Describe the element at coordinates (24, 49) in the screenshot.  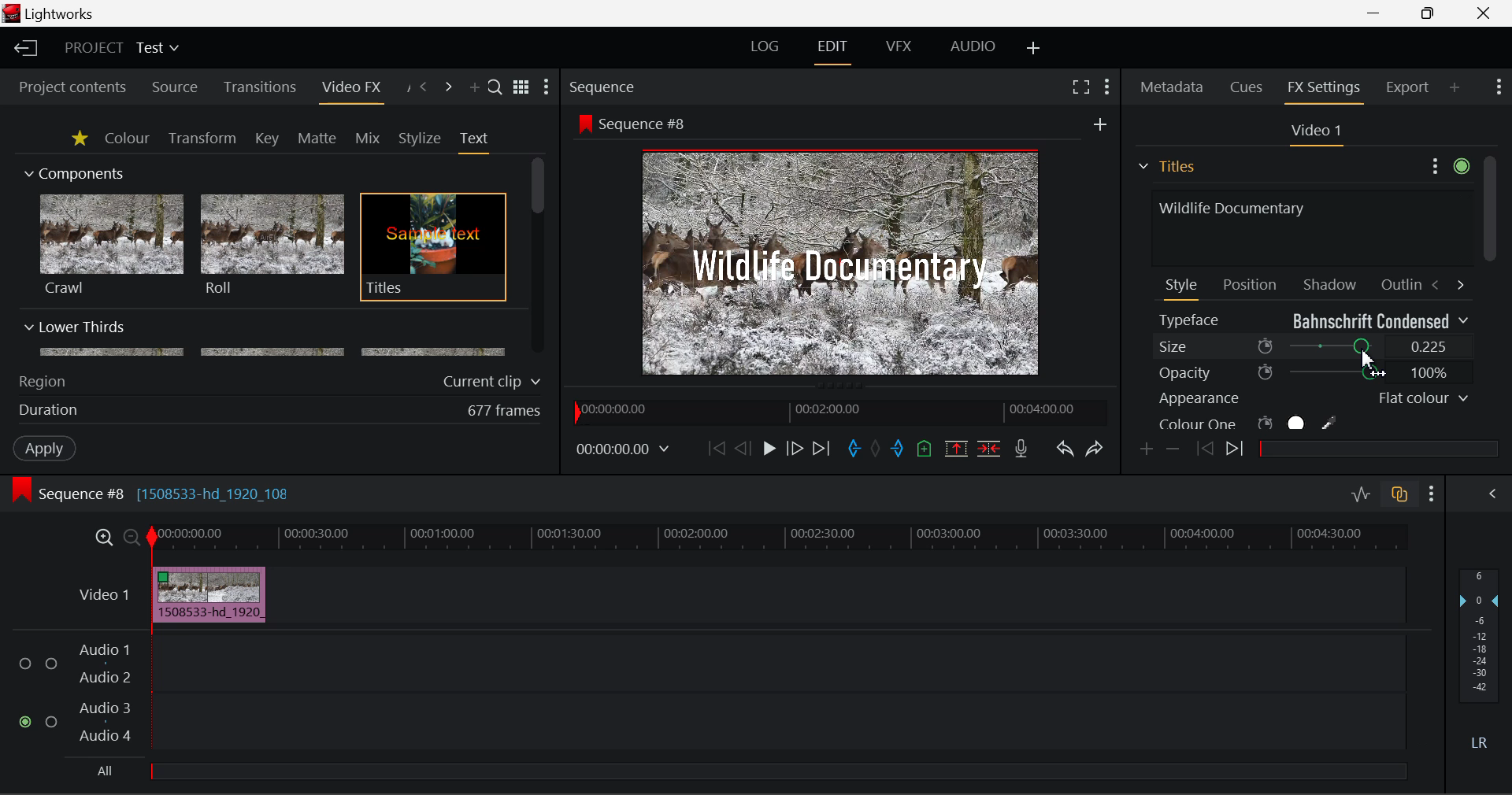
I see `Back to Homepage` at that location.